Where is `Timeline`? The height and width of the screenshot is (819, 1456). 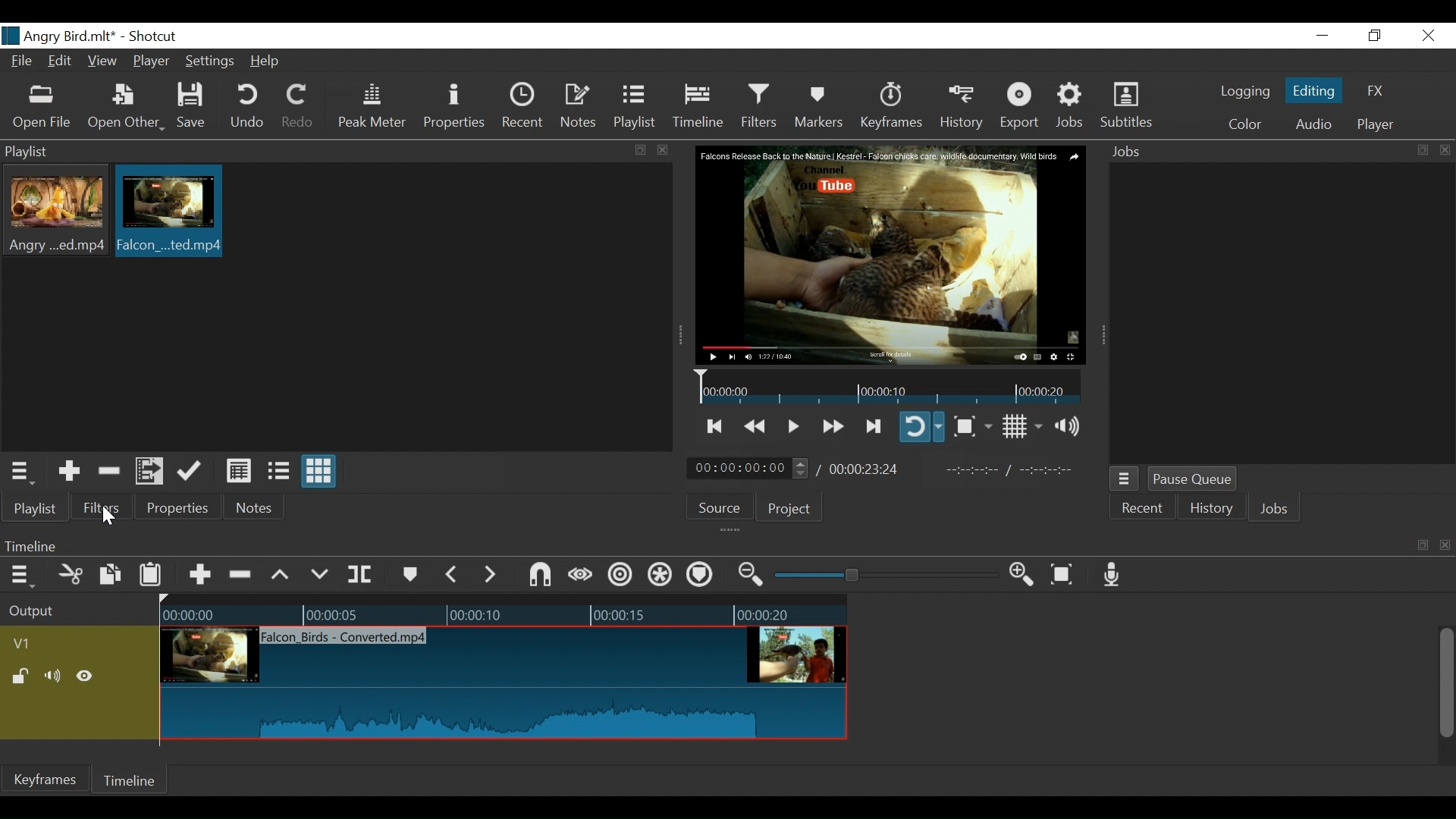
Timeline is located at coordinates (699, 106).